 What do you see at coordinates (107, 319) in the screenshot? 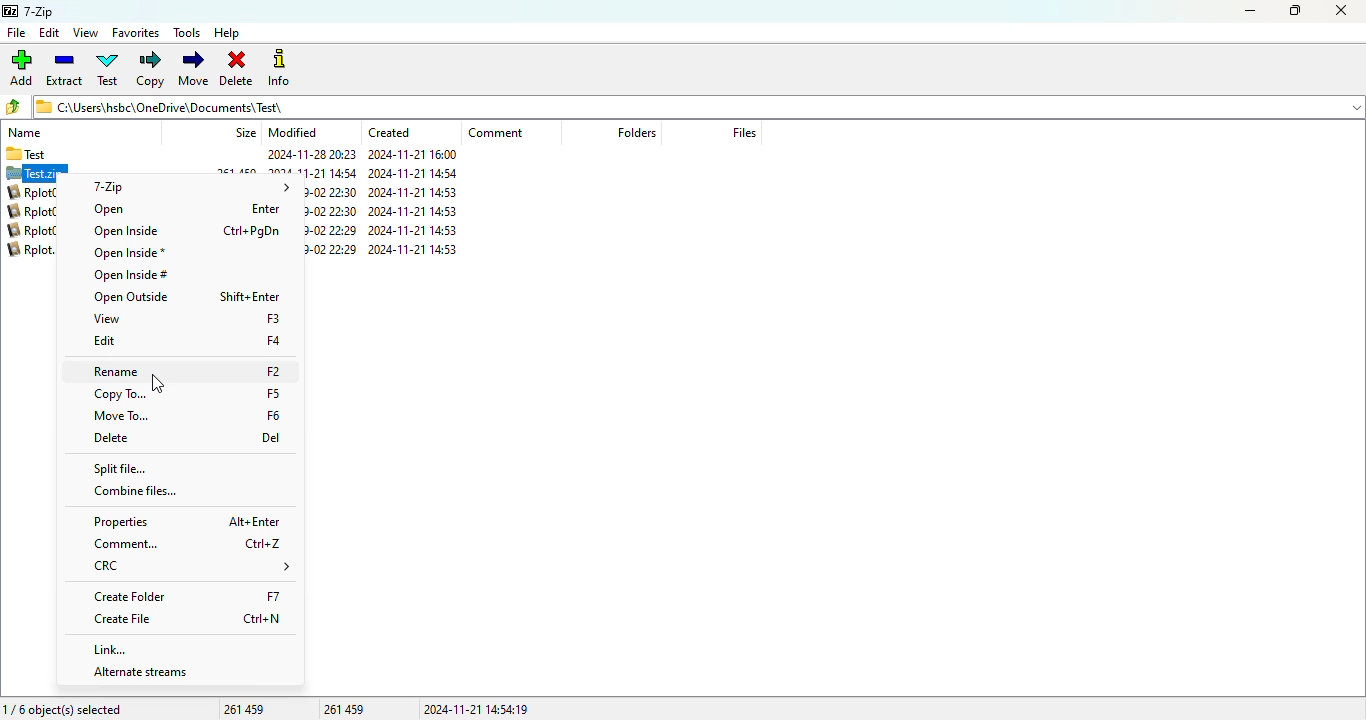
I see `view` at bounding box center [107, 319].